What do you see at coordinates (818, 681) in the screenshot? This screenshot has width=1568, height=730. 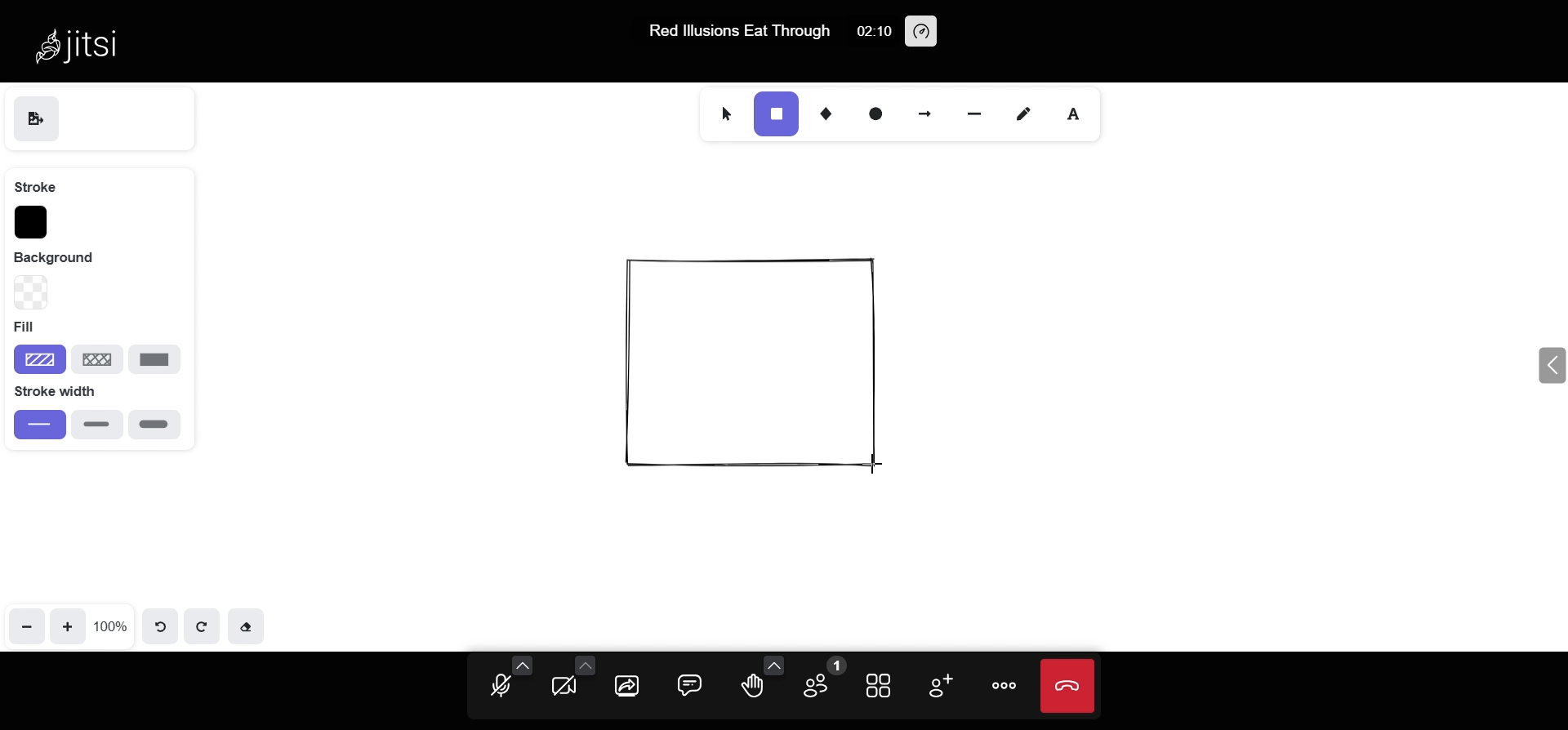 I see `participants` at bounding box center [818, 681].